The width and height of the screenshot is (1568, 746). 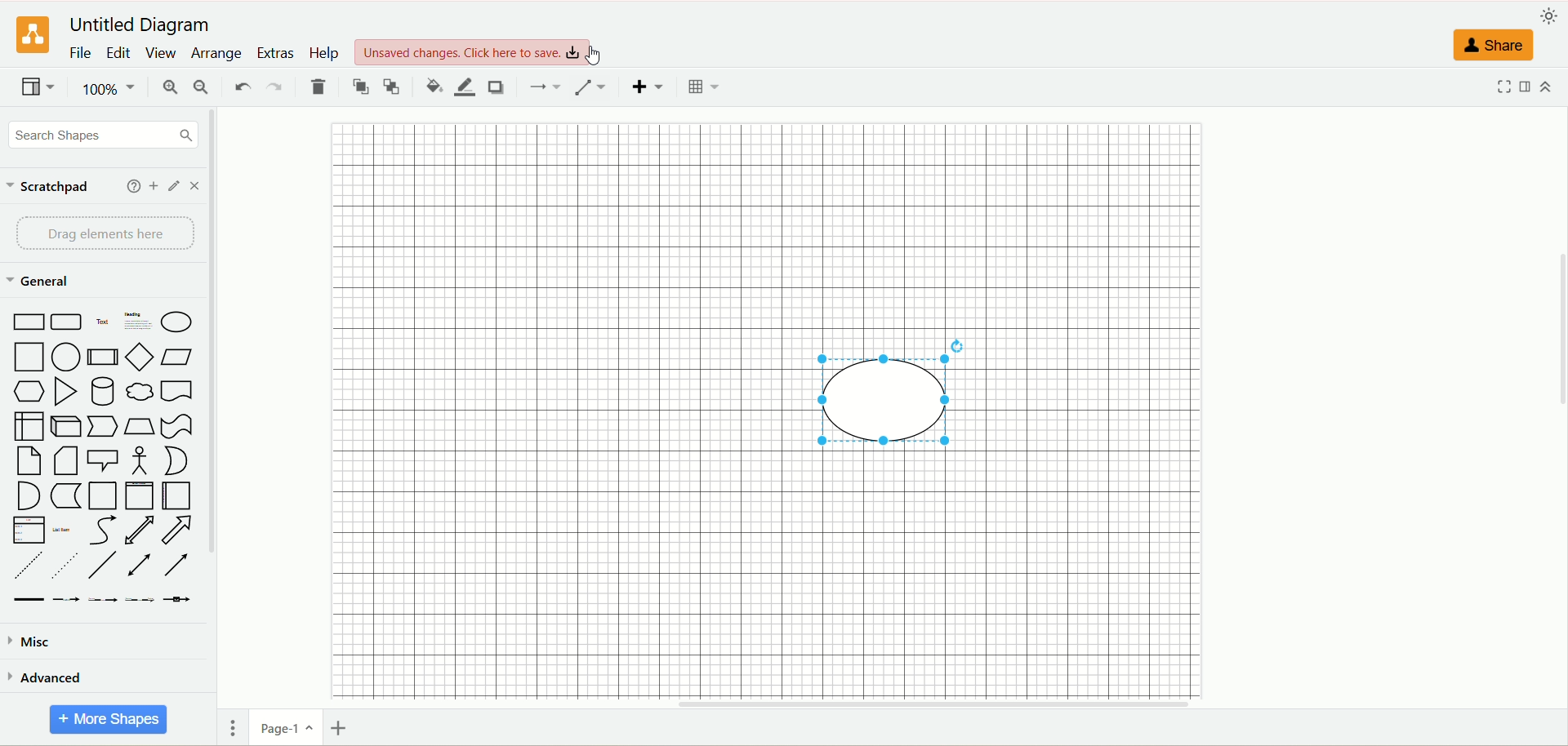 What do you see at coordinates (65, 390) in the screenshot?
I see `triangle` at bounding box center [65, 390].